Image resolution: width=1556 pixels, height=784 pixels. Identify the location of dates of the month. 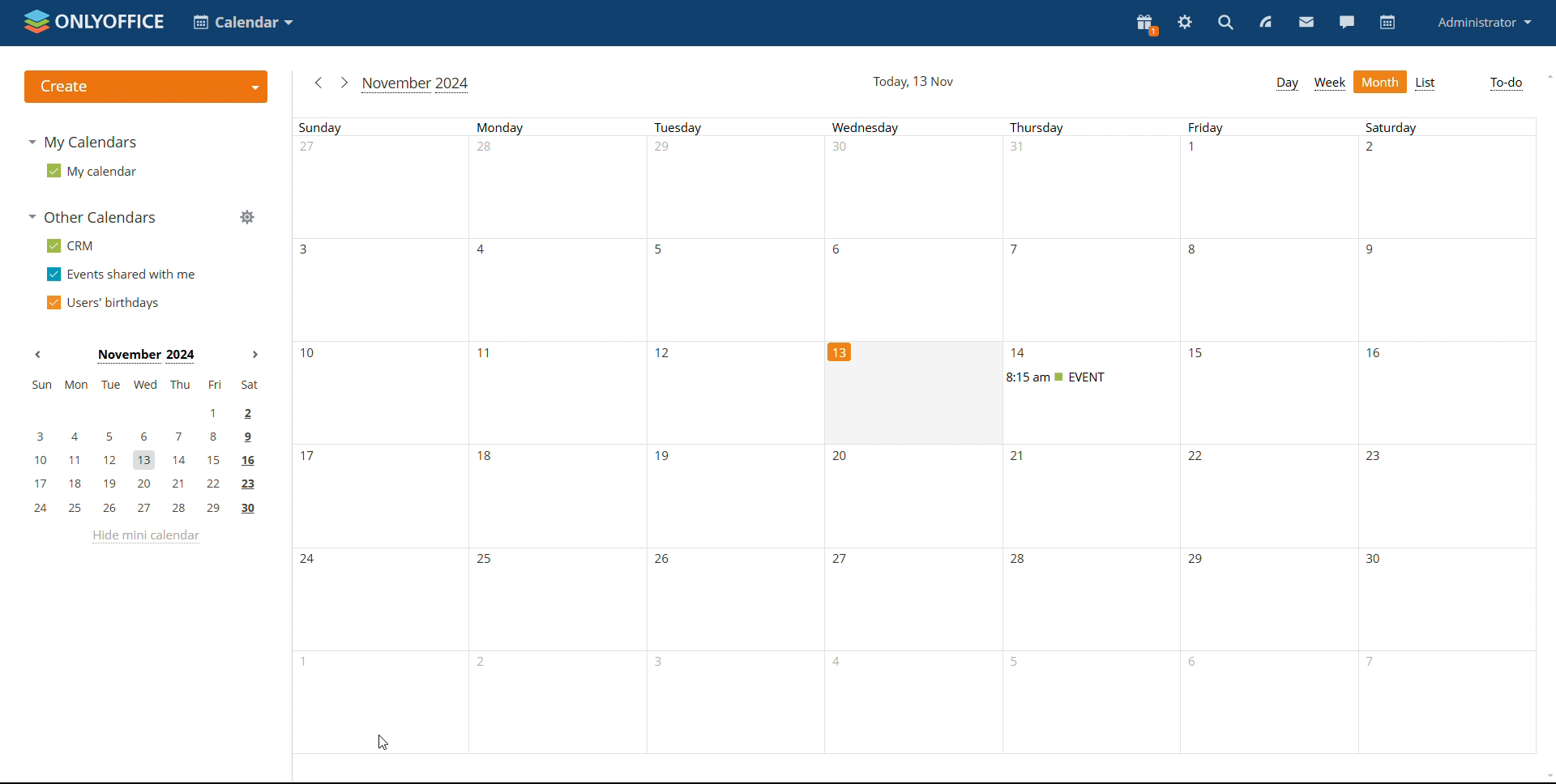
(563, 393).